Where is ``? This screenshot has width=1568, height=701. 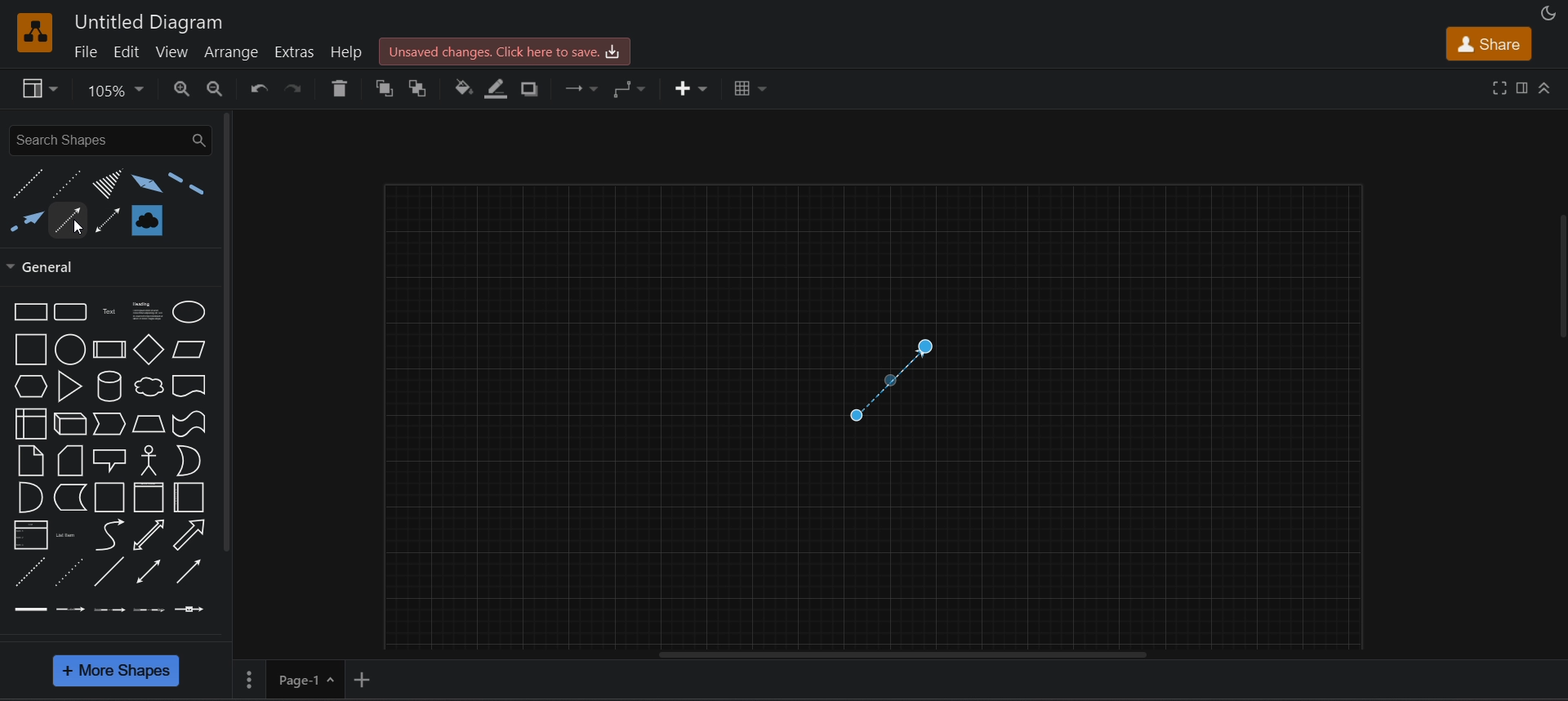  is located at coordinates (191, 496).